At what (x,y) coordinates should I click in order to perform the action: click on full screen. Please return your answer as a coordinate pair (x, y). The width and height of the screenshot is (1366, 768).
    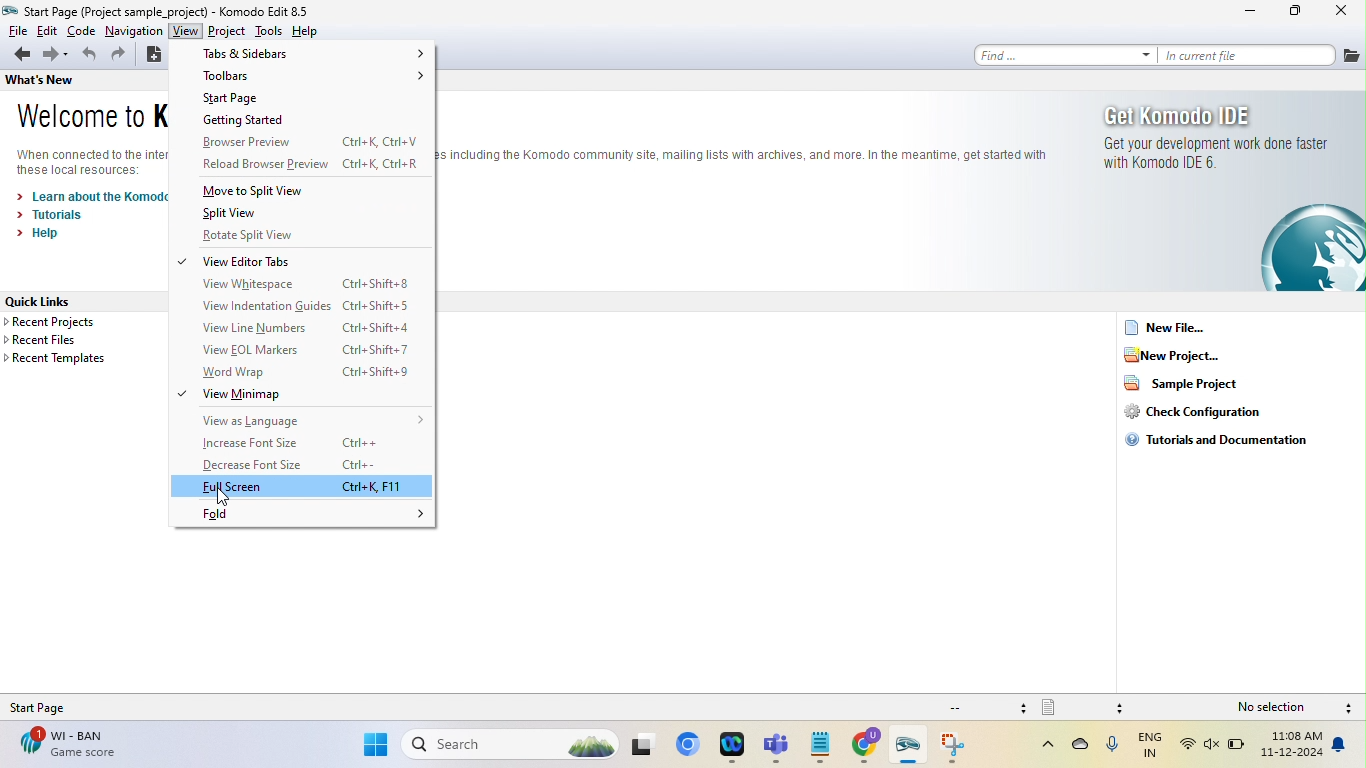
    Looking at the image, I should click on (304, 487).